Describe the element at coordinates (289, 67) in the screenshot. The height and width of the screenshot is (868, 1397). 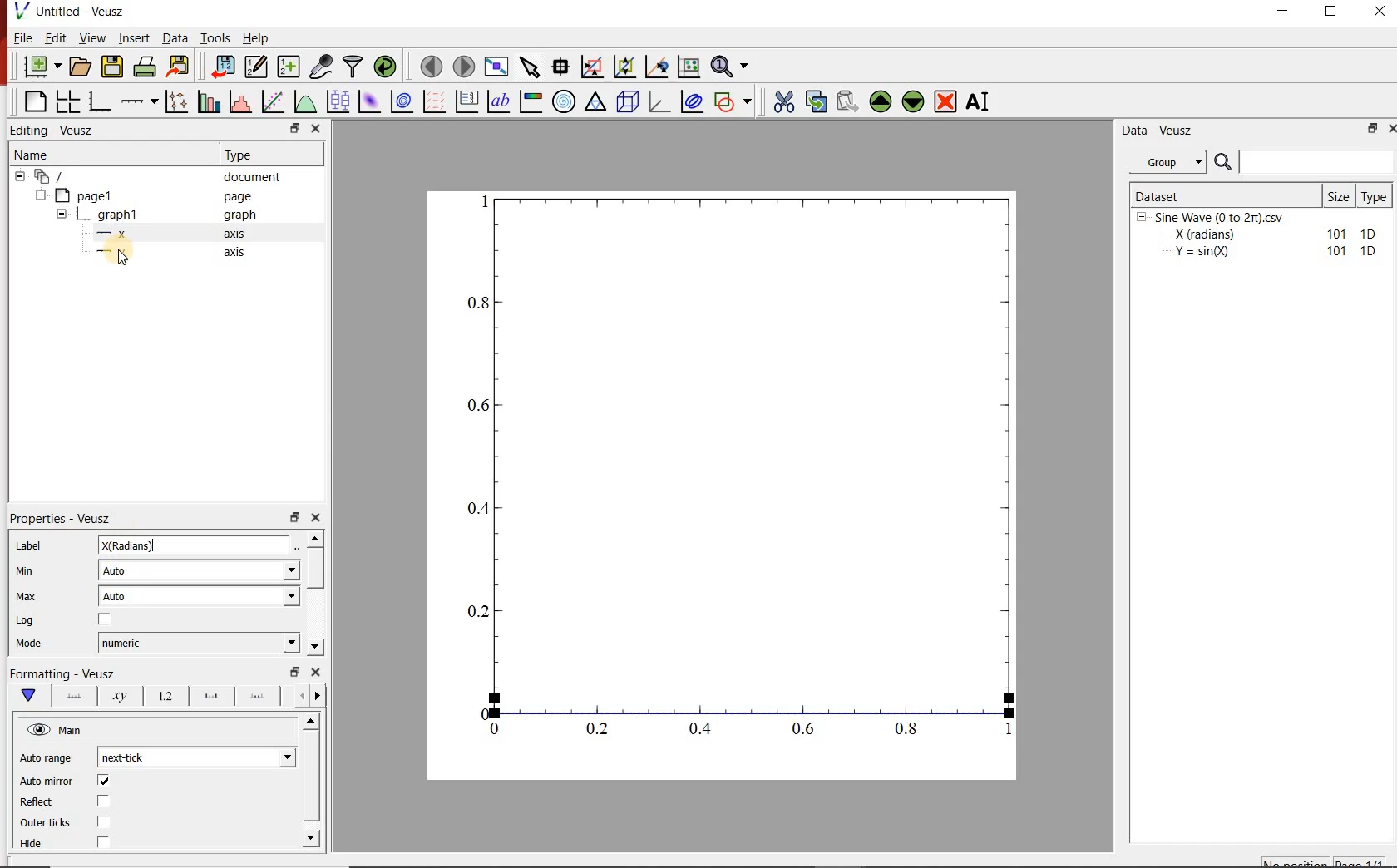
I see `create new datasets` at that location.